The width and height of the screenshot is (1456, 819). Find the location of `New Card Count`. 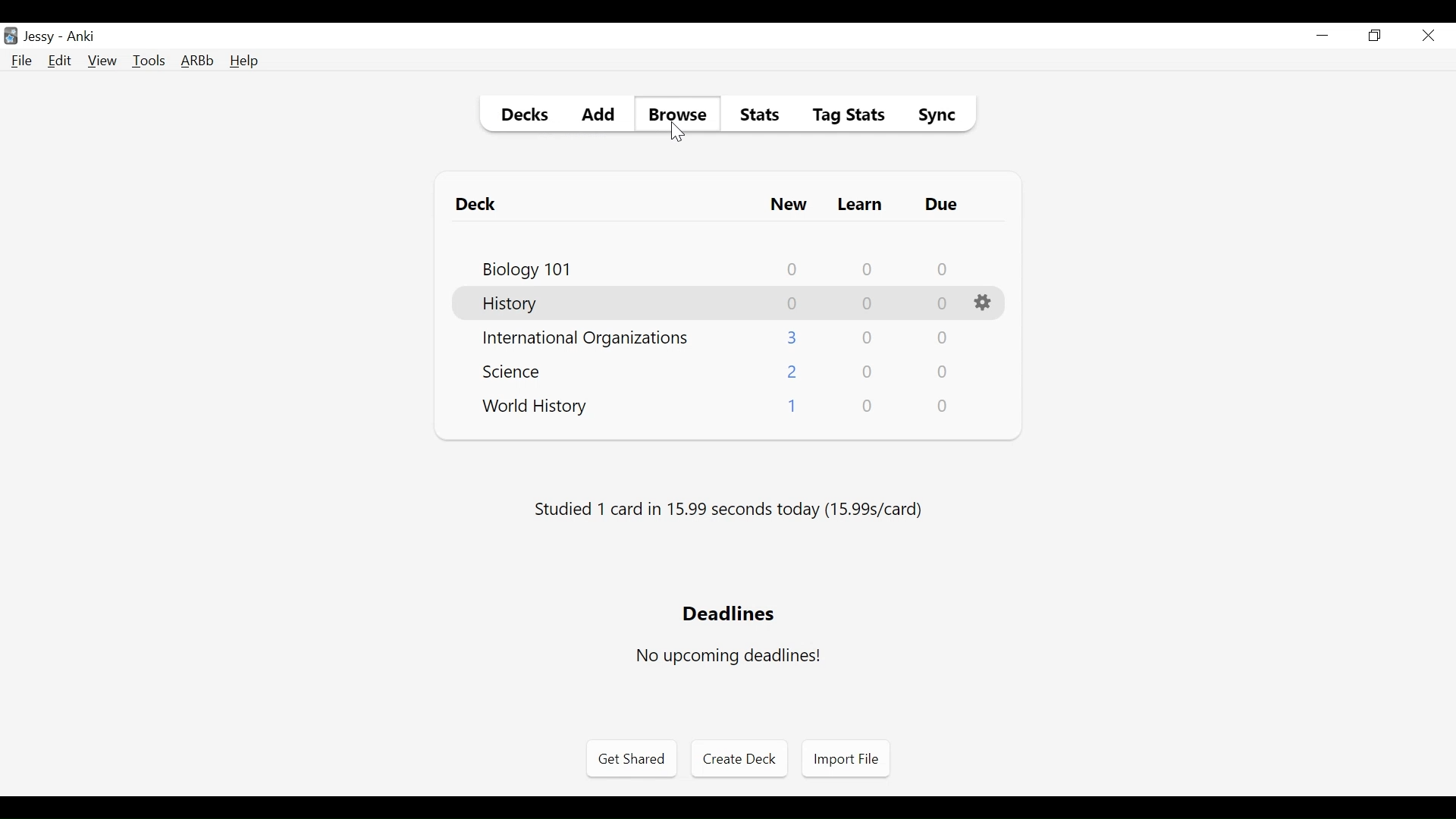

New Card Count is located at coordinates (790, 406).